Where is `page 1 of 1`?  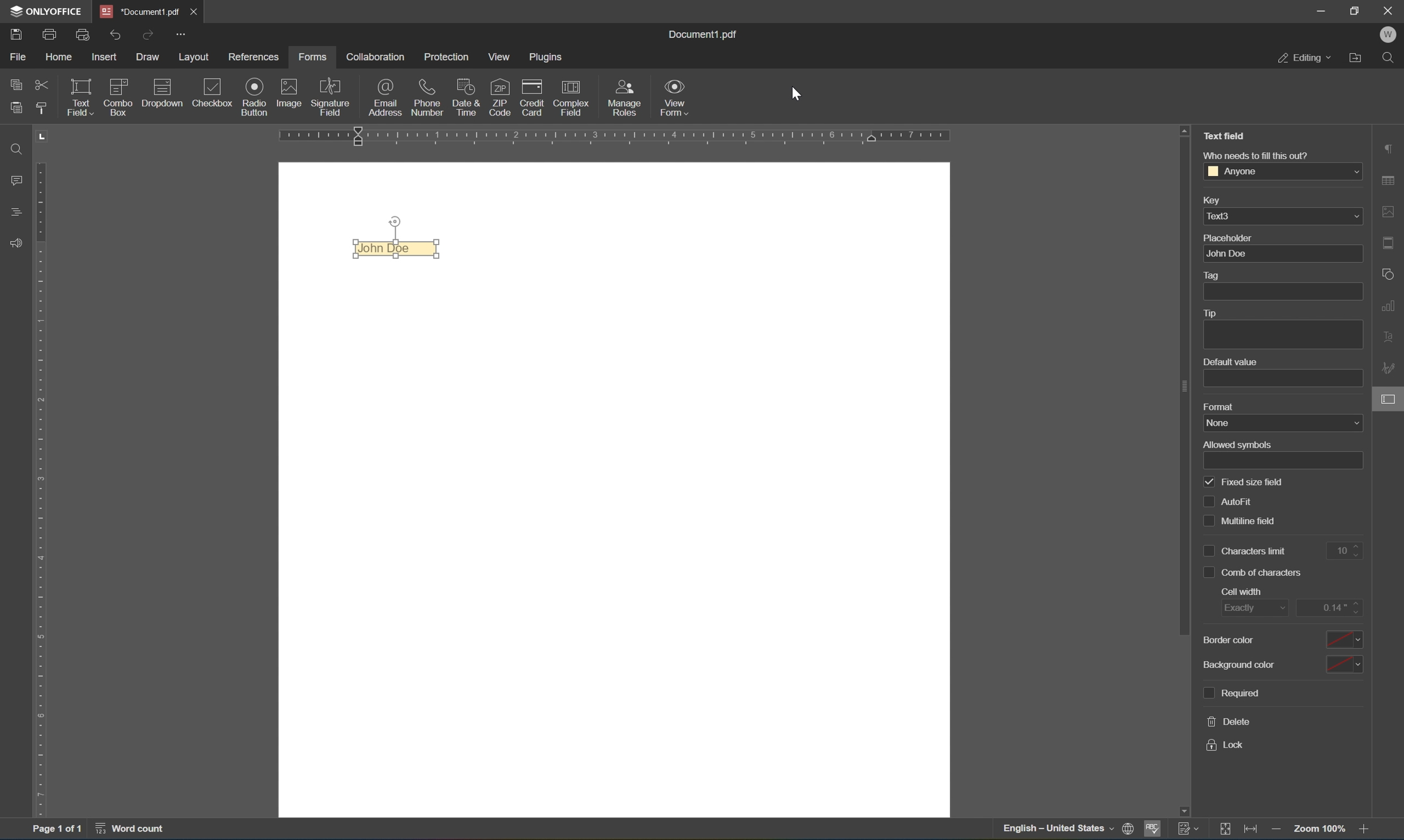
page 1 of 1 is located at coordinates (53, 829).